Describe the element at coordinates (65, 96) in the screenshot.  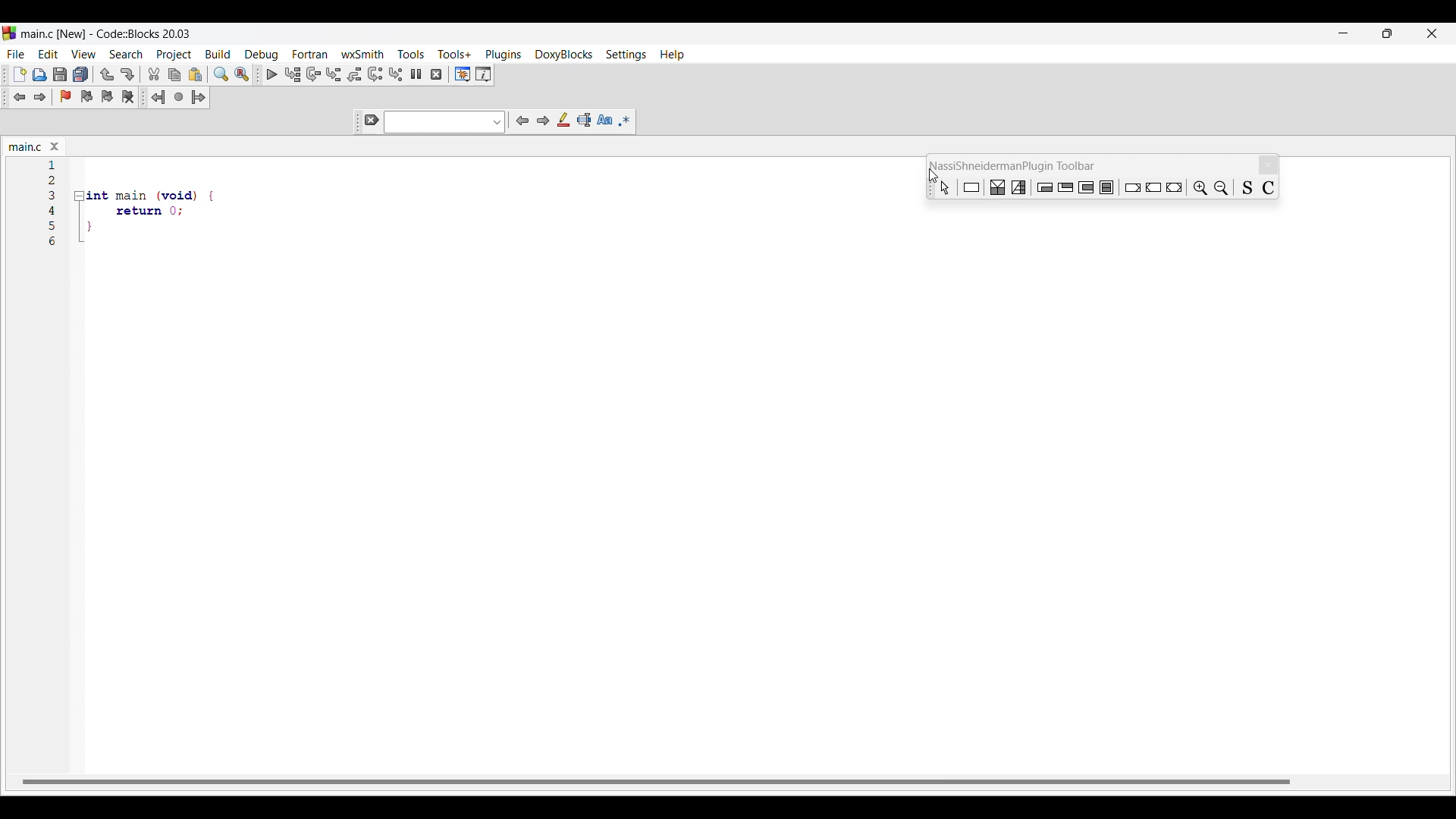
I see `Toggle bookmark` at that location.